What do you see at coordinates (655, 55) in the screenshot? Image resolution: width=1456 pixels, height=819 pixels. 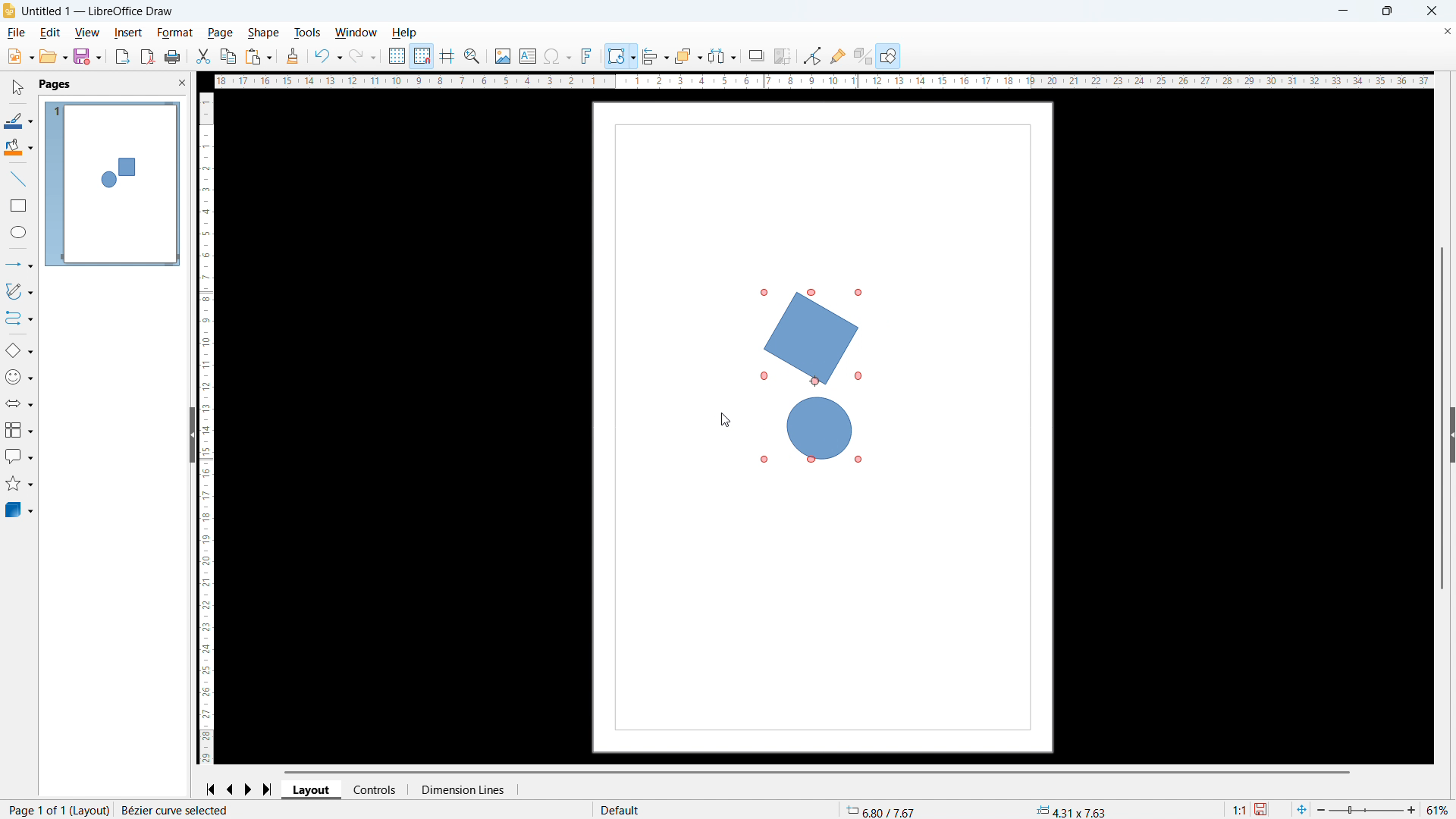 I see `align ` at bounding box center [655, 55].